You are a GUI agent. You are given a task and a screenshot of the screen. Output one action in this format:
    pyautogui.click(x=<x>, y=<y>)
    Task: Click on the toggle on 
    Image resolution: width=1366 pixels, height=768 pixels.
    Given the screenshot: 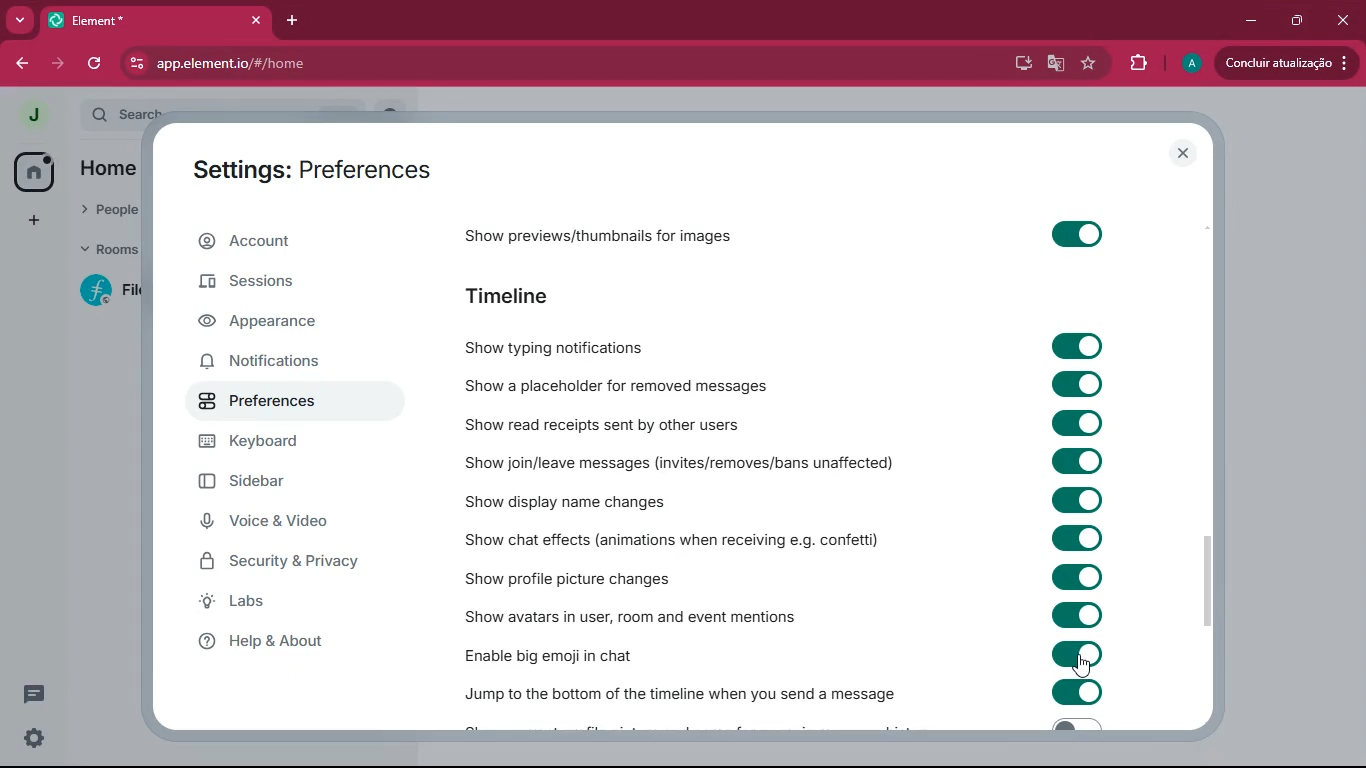 What is the action you would take?
    pyautogui.click(x=1078, y=692)
    